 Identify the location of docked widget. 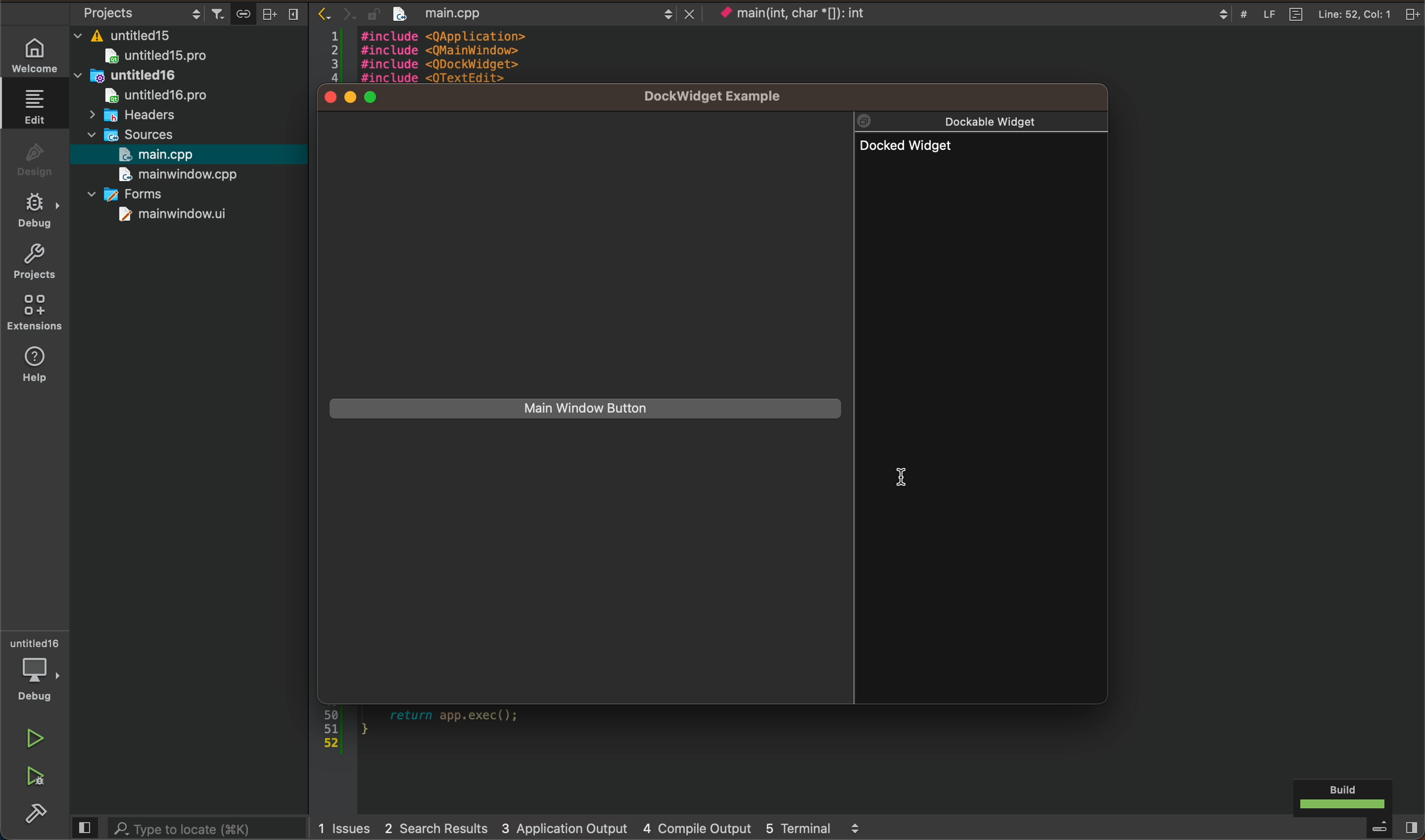
(980, 289).